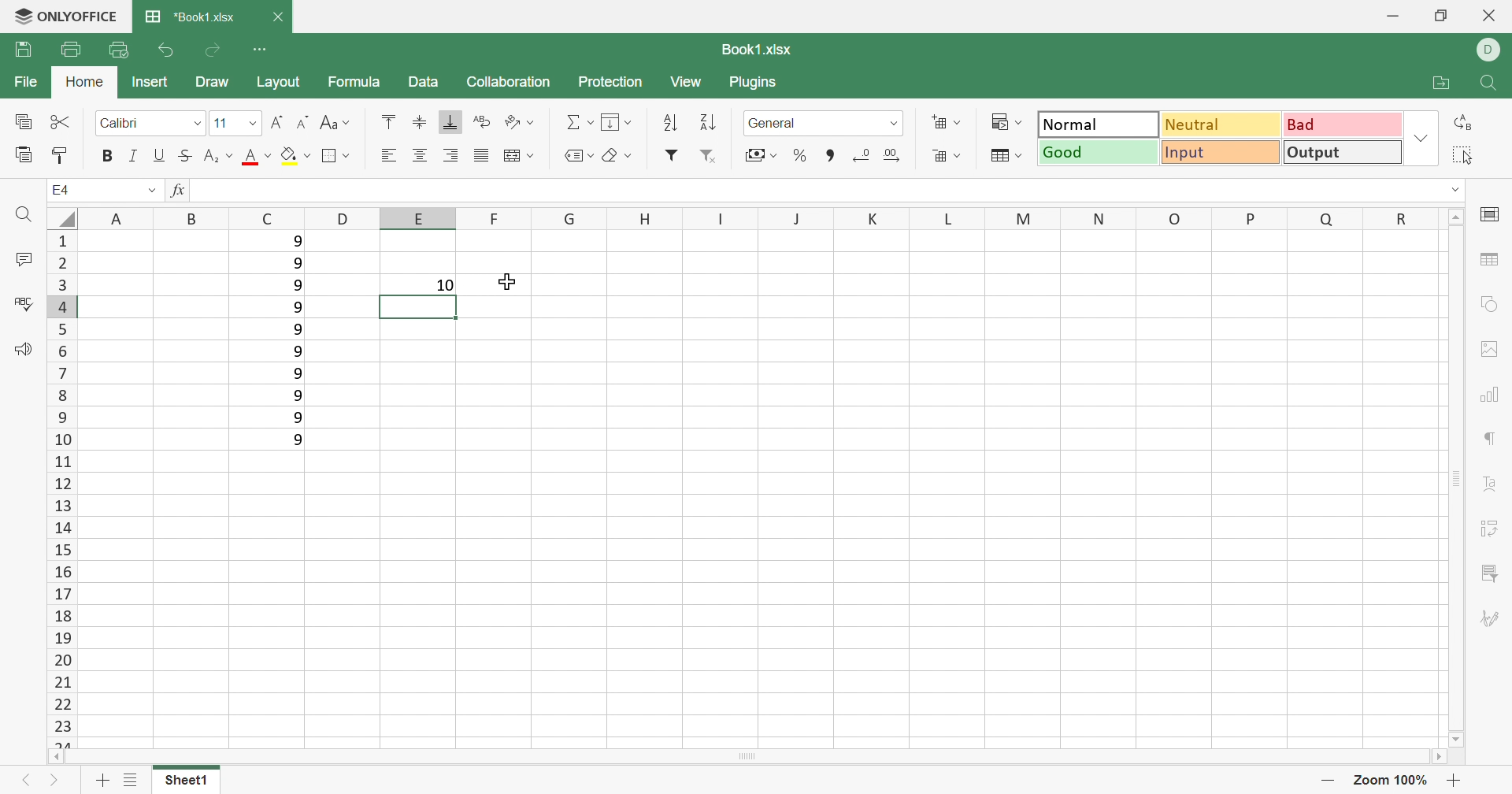  Describe the element at coordinates (25, 258) in the screenshot. I see `Comments` at that location.